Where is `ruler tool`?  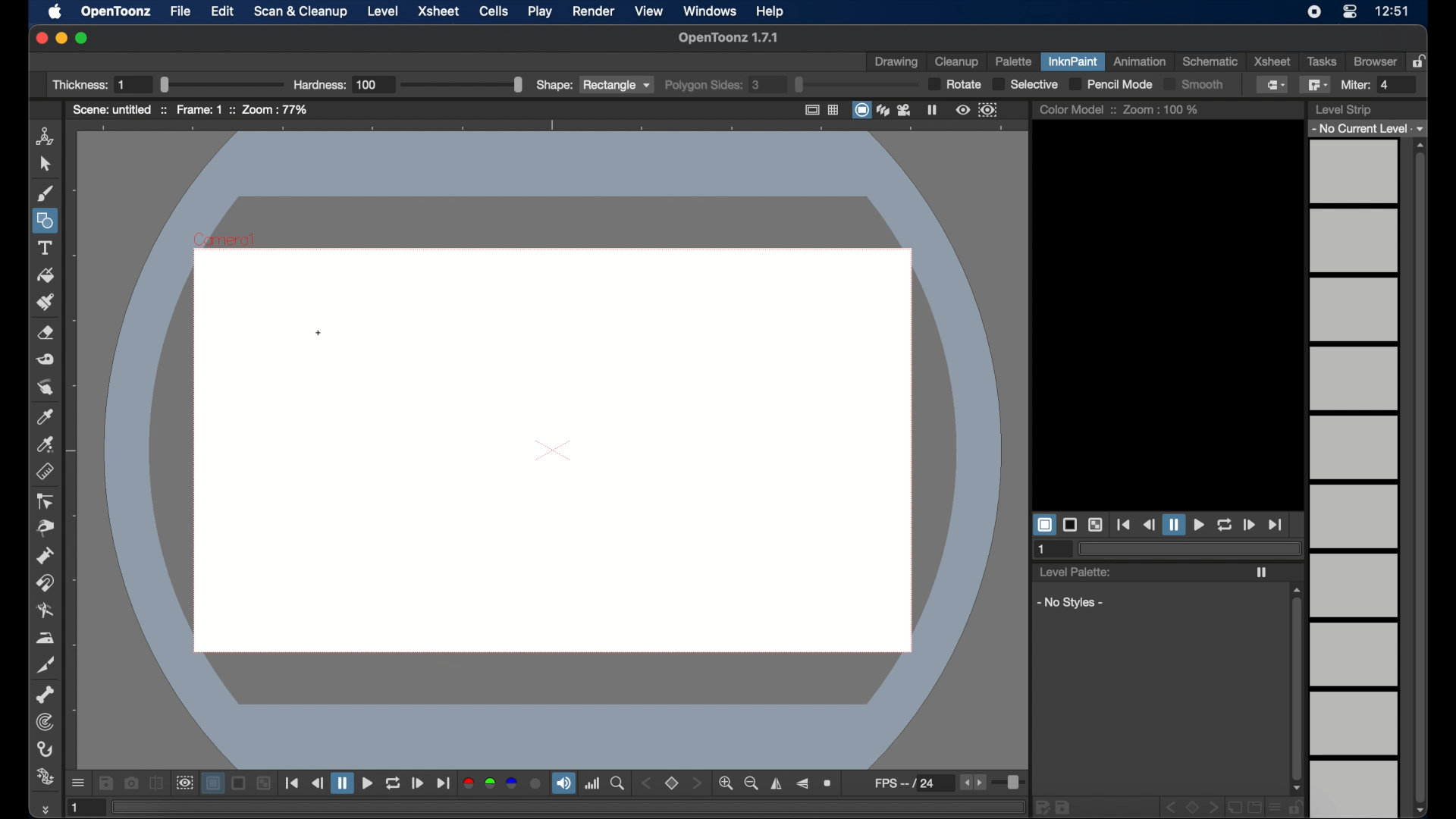 ruler tool is located at coordinates (45, 472).